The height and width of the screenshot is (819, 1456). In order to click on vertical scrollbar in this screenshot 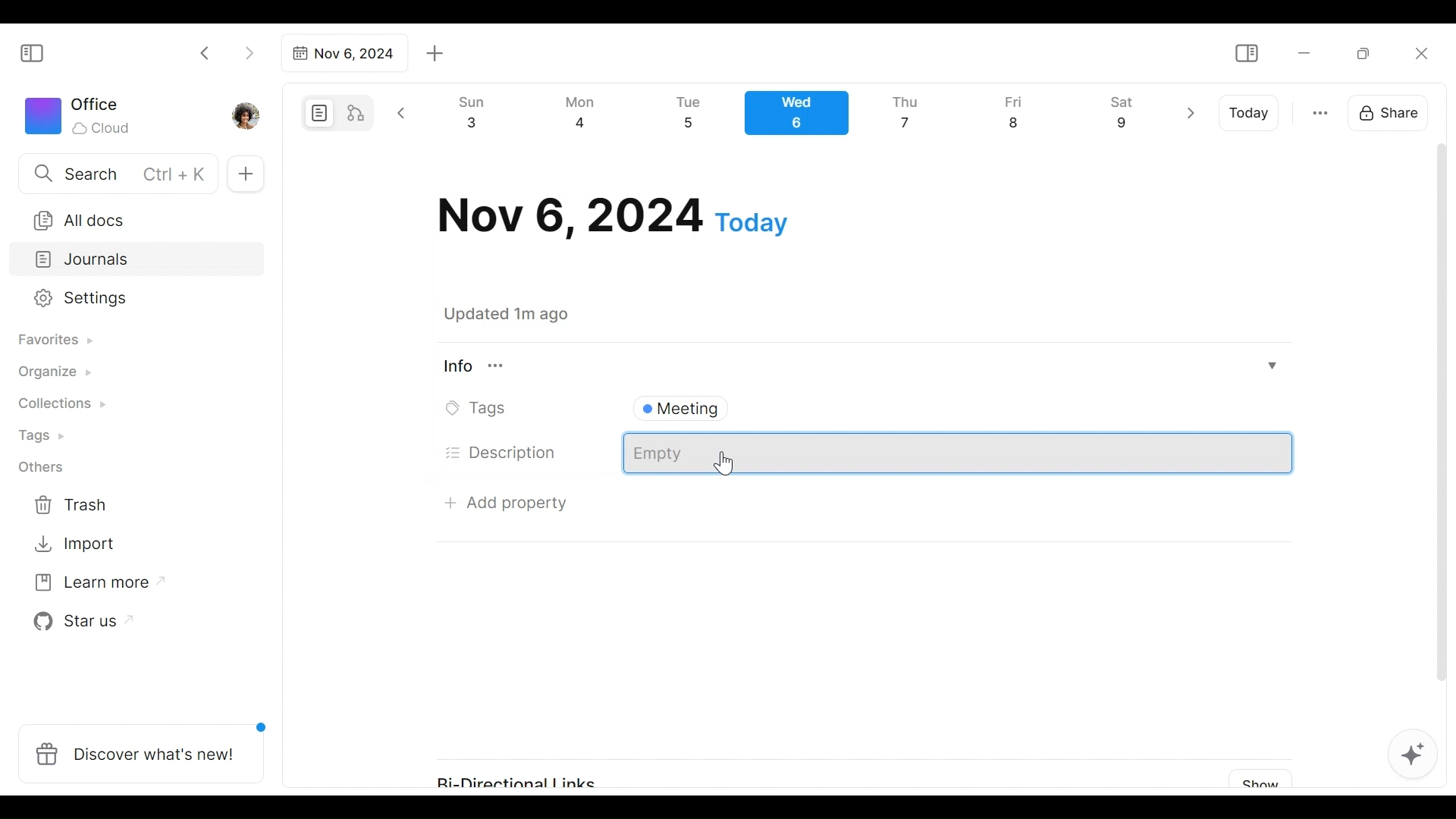, I will do `click(1442, 431)`.